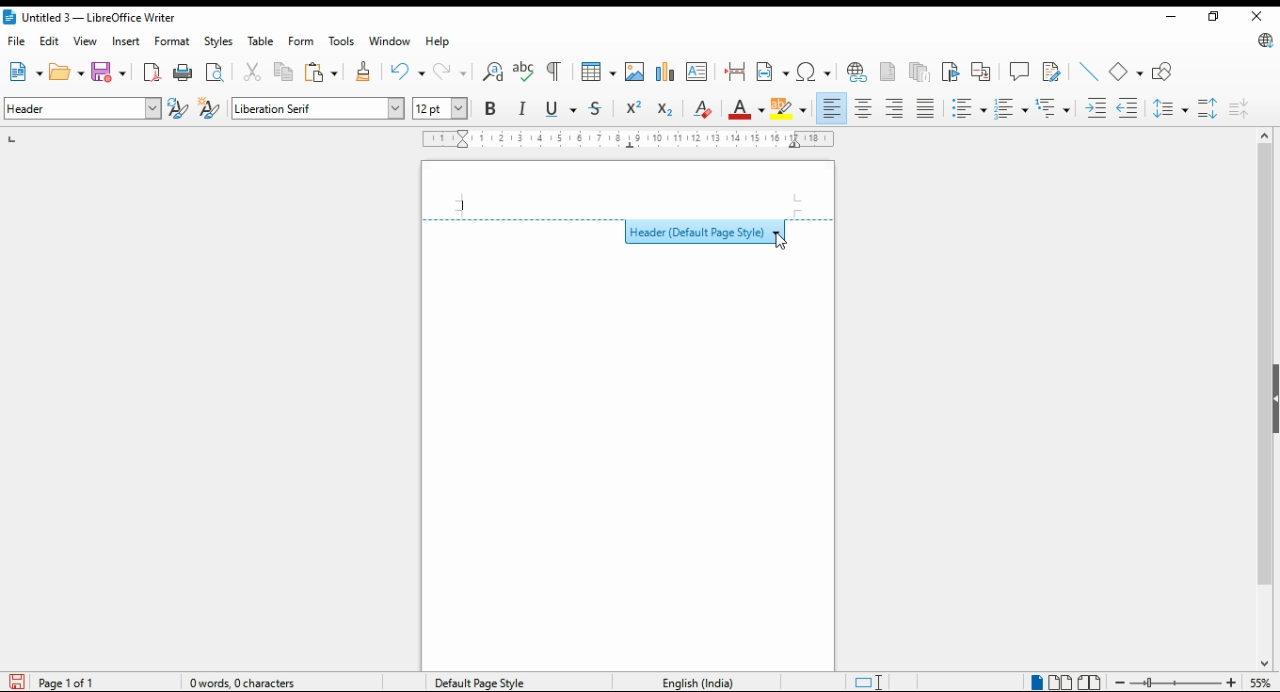  I want to click on insert chart, so click(665, 72).